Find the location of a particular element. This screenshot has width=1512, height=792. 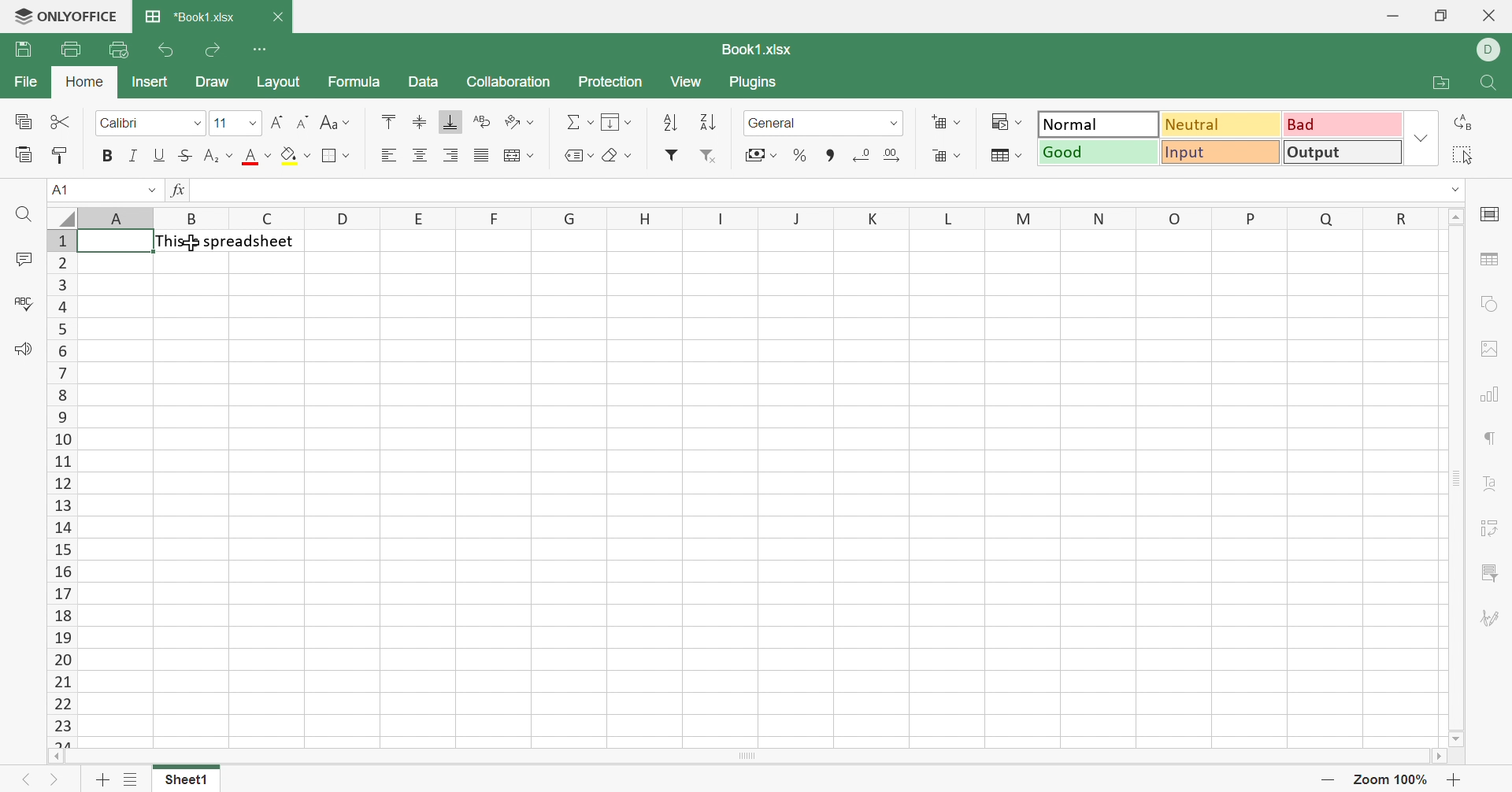

This is spreadsheet is located at coordinates (226, 241).